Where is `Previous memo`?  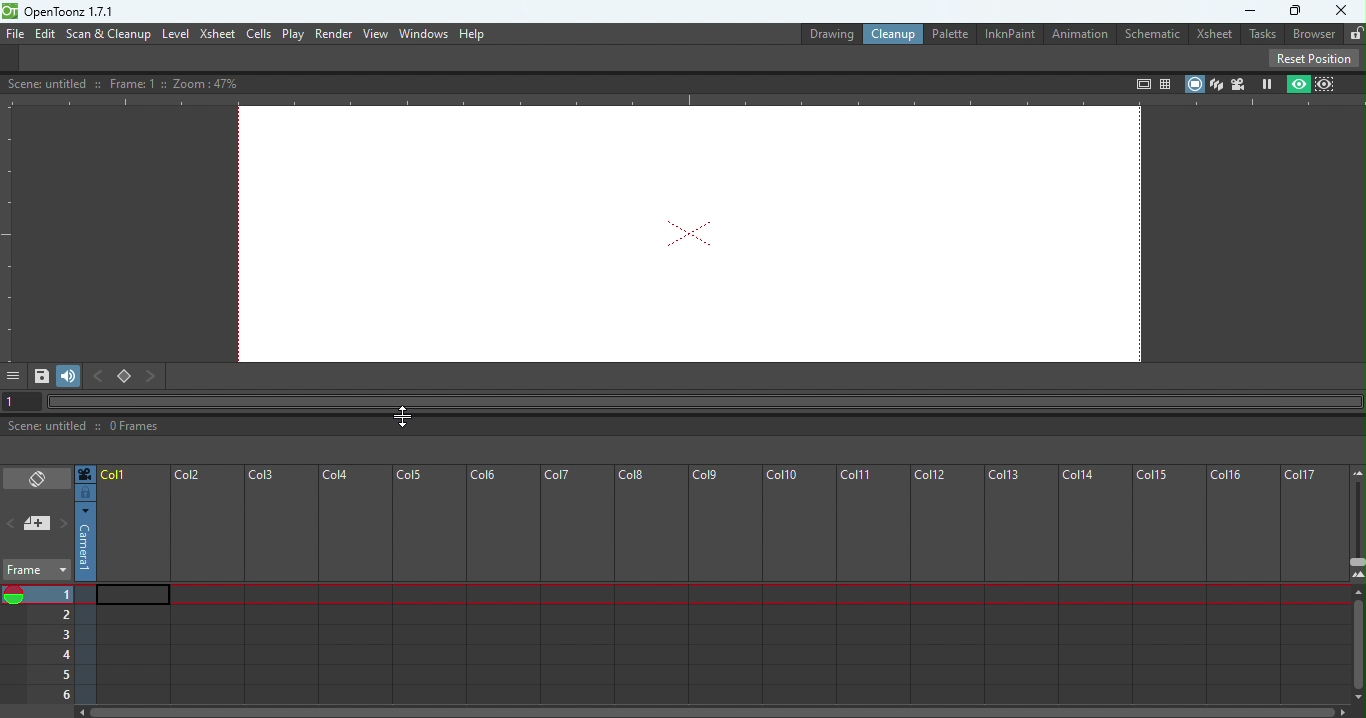
Previous memo is located at coordinates (12, 519).